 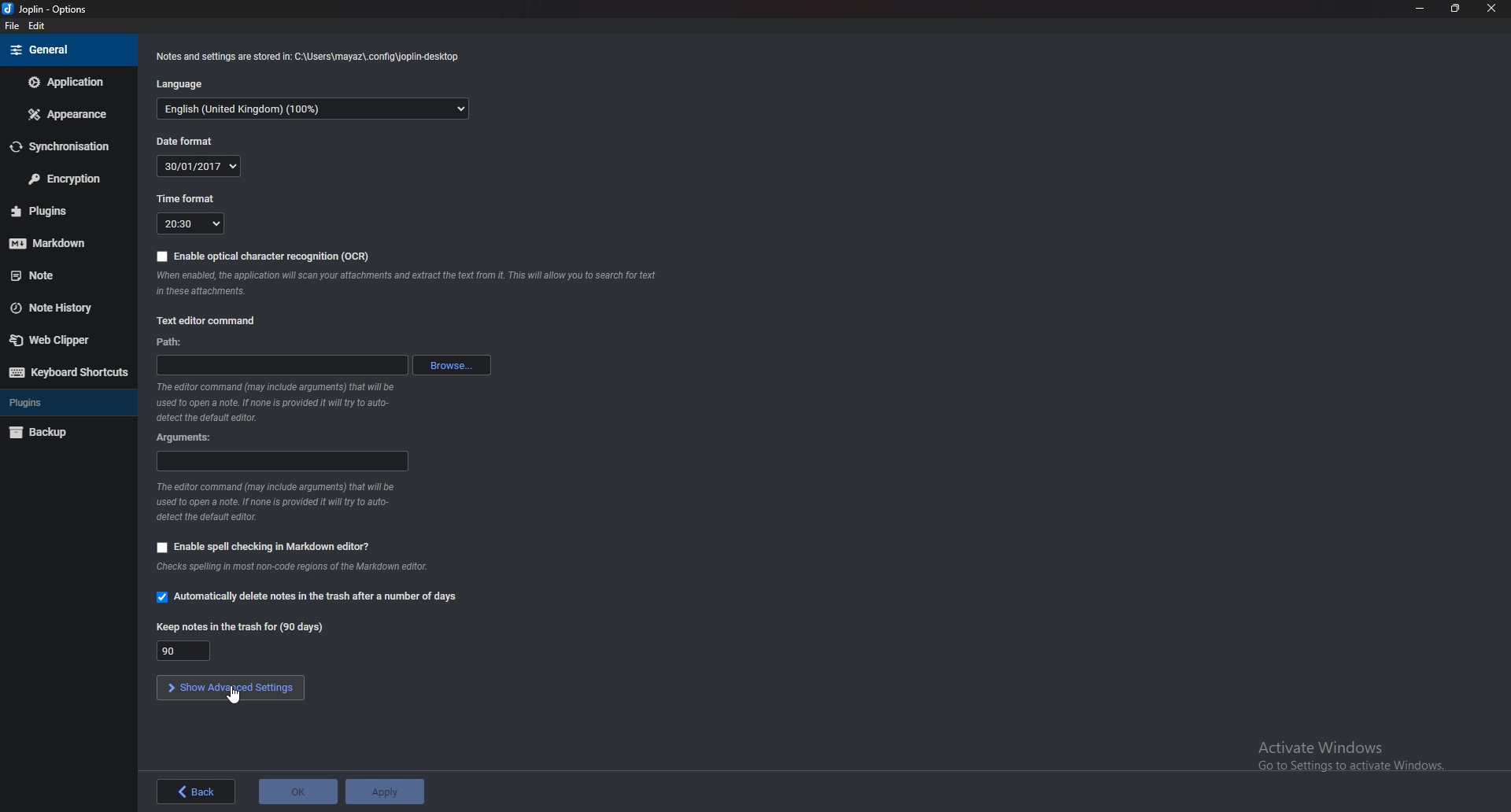 I want to click on Web clipper, so click(x=62, y=340).